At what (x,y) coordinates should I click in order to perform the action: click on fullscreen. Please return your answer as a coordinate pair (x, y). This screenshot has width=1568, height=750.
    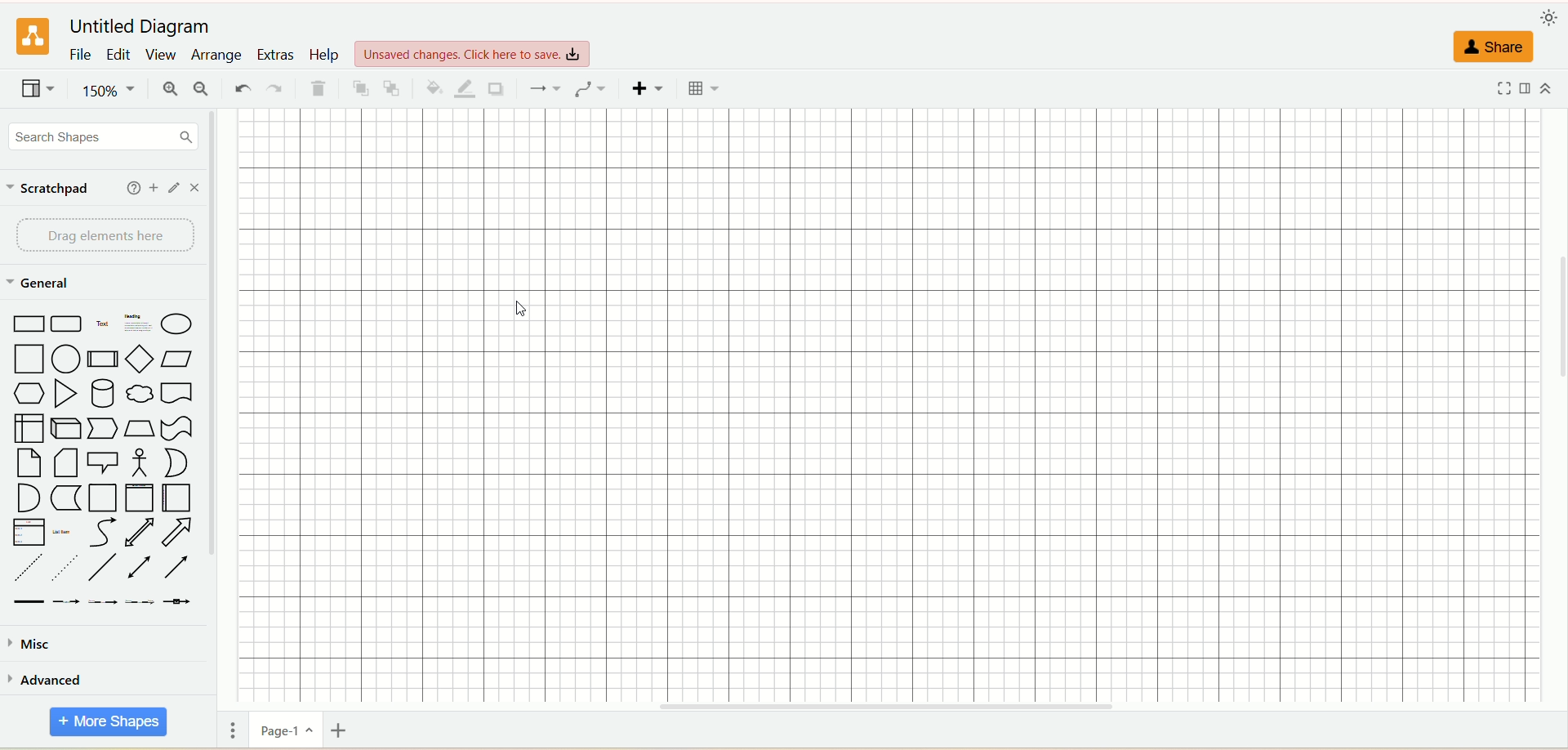
    Looking at the image, I should click on (1506, 89).